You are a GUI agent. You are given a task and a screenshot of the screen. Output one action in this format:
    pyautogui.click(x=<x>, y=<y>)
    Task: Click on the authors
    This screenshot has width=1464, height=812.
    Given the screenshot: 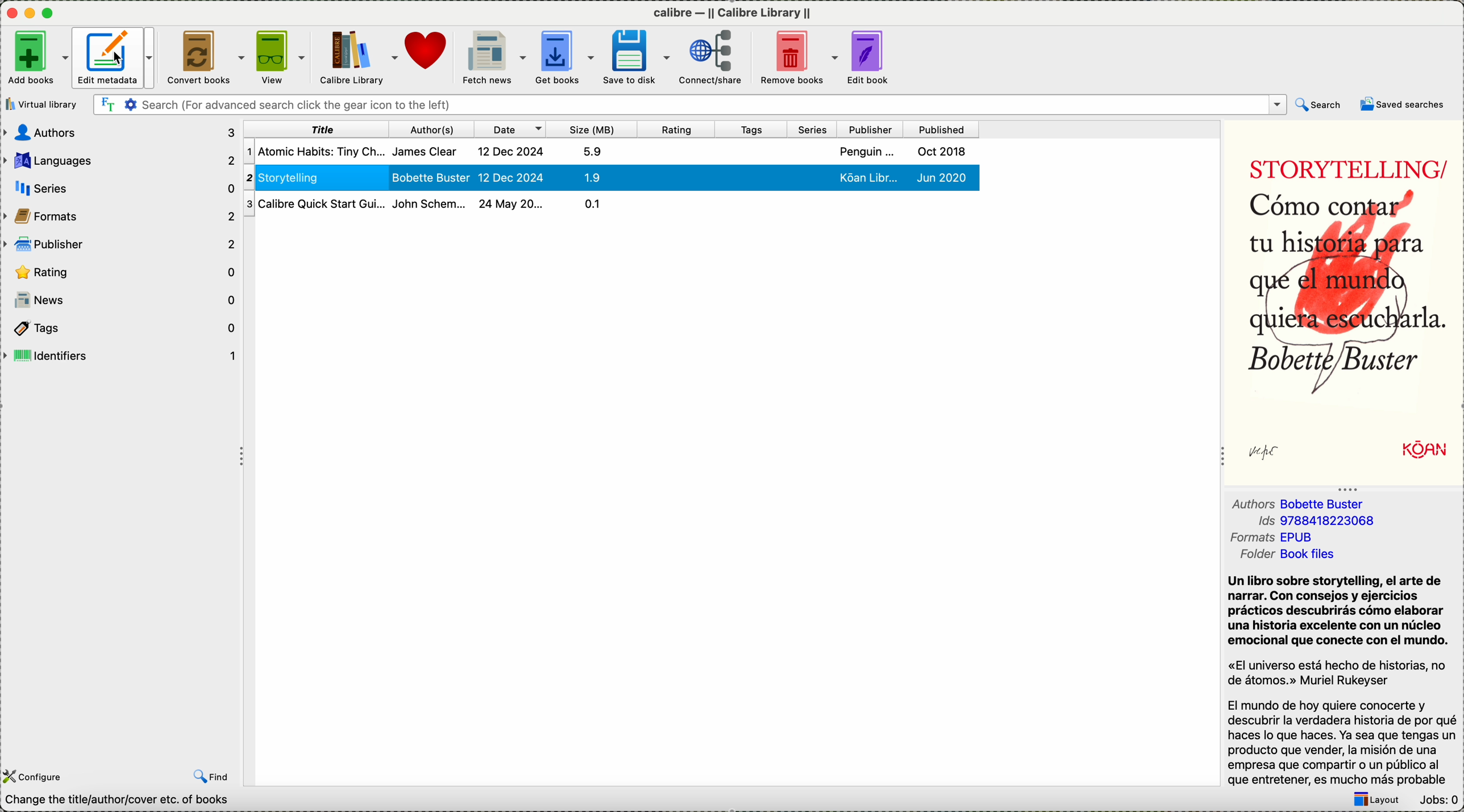 What is the action you would take?
    pyautogui.click(x=120, y=132)
    